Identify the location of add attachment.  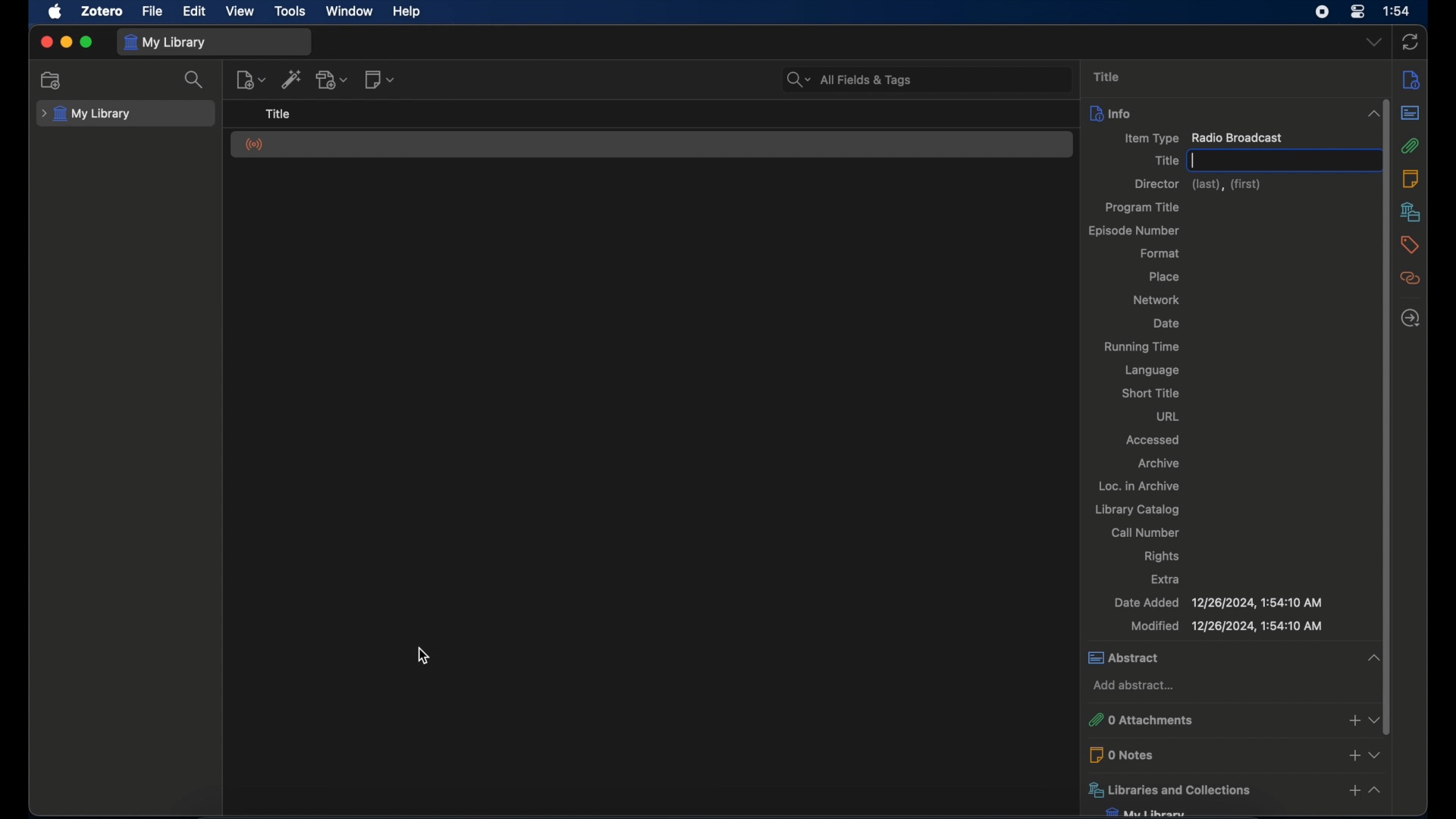
(332, 79).